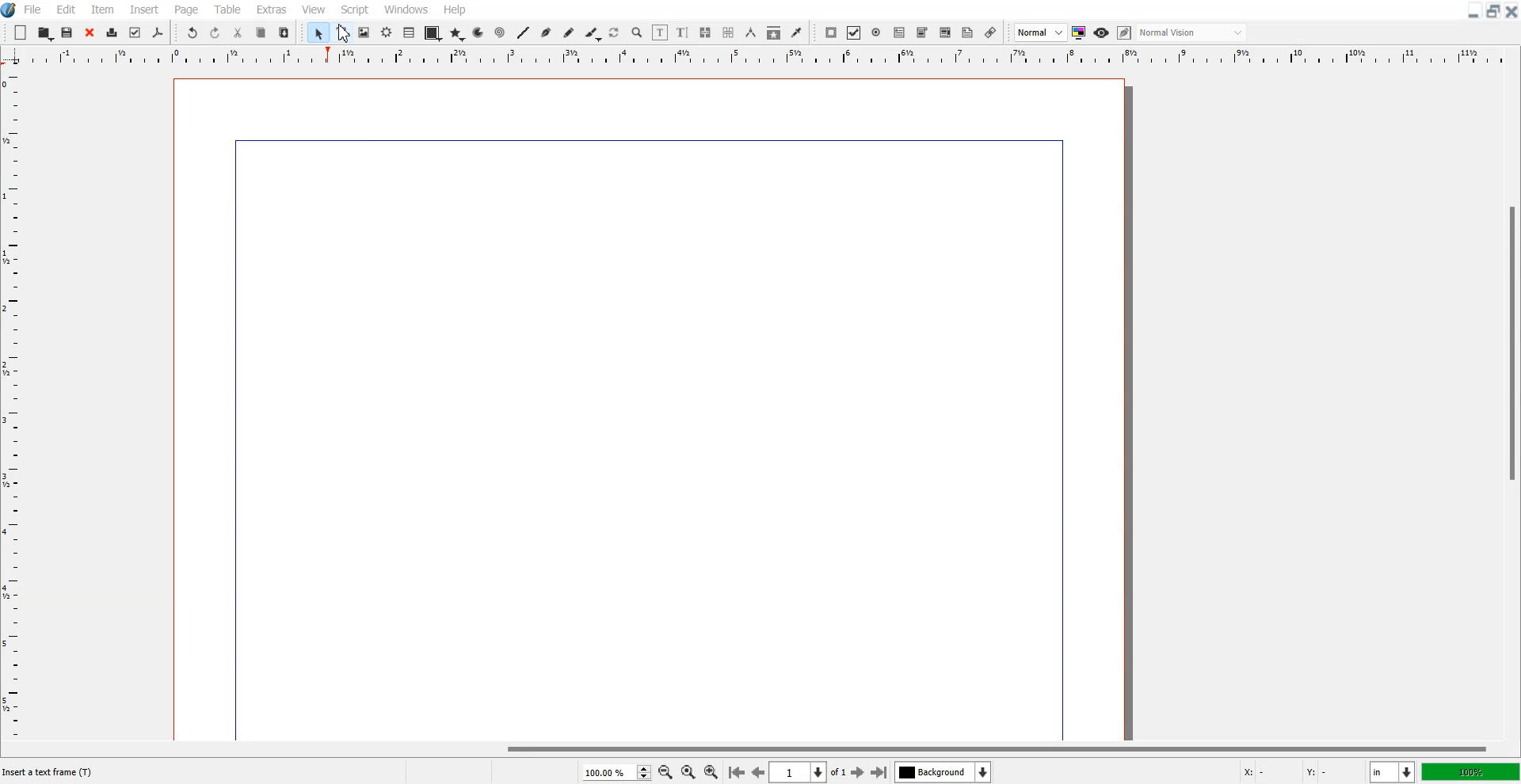 This screenshot has width=1521, height=784. Describe the element at coordinates (1298, 773) in the screenshot. I see `X, Y Co-ordinate` at that location.